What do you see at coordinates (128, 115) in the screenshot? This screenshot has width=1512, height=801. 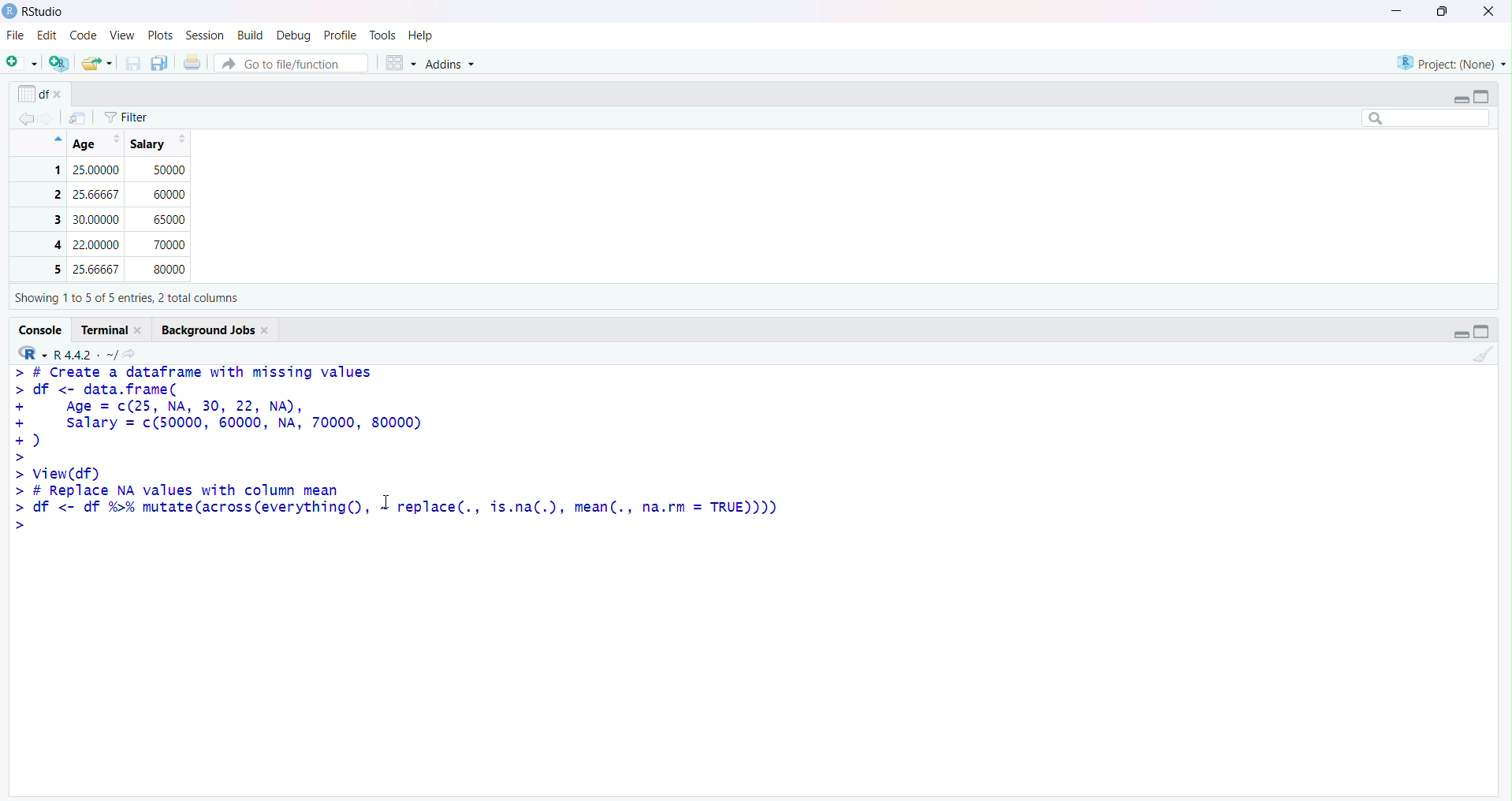 I see `Filter` at bounding box center [128, 115].